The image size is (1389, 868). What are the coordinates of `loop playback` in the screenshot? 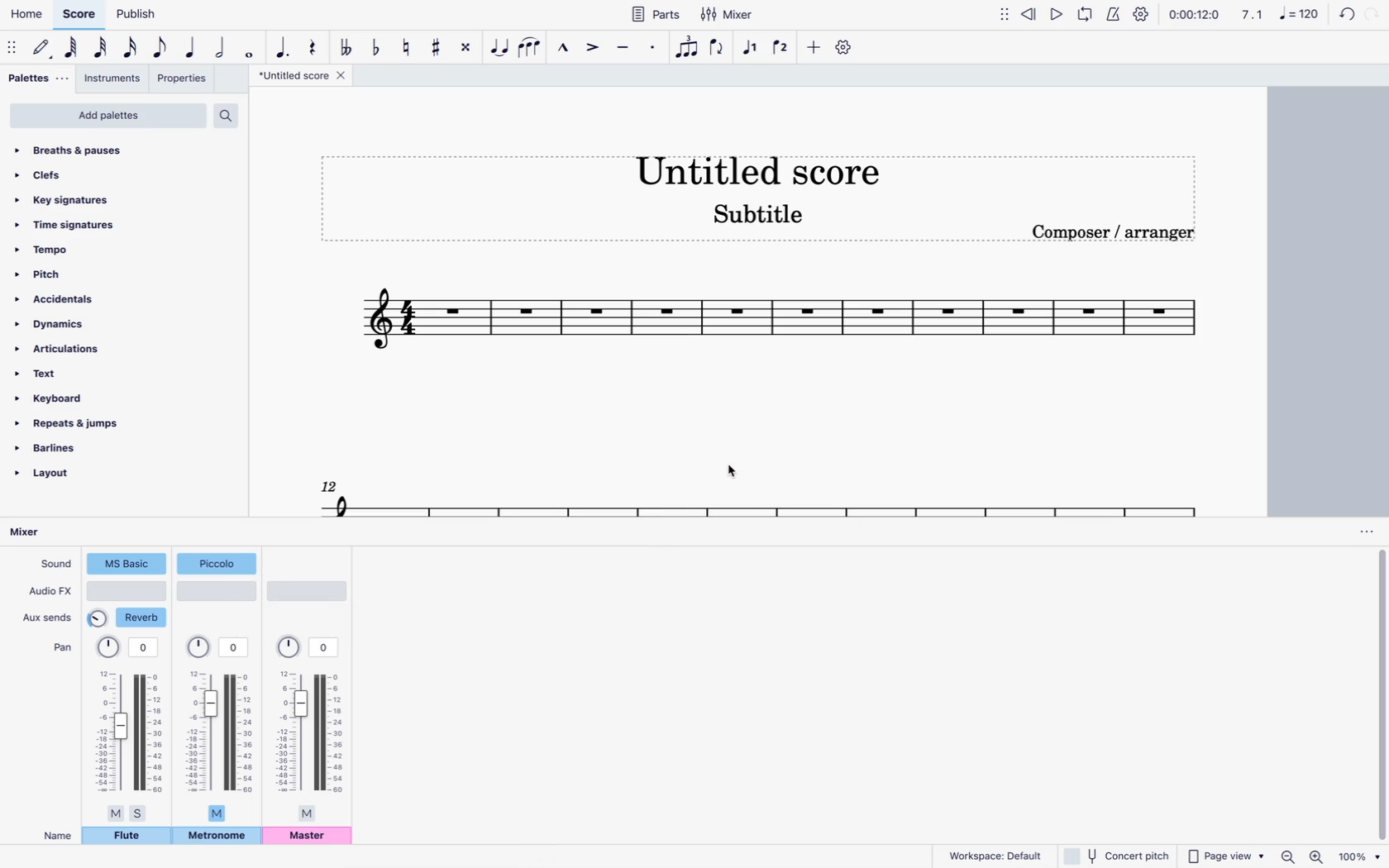 It's located at (1086, 17).